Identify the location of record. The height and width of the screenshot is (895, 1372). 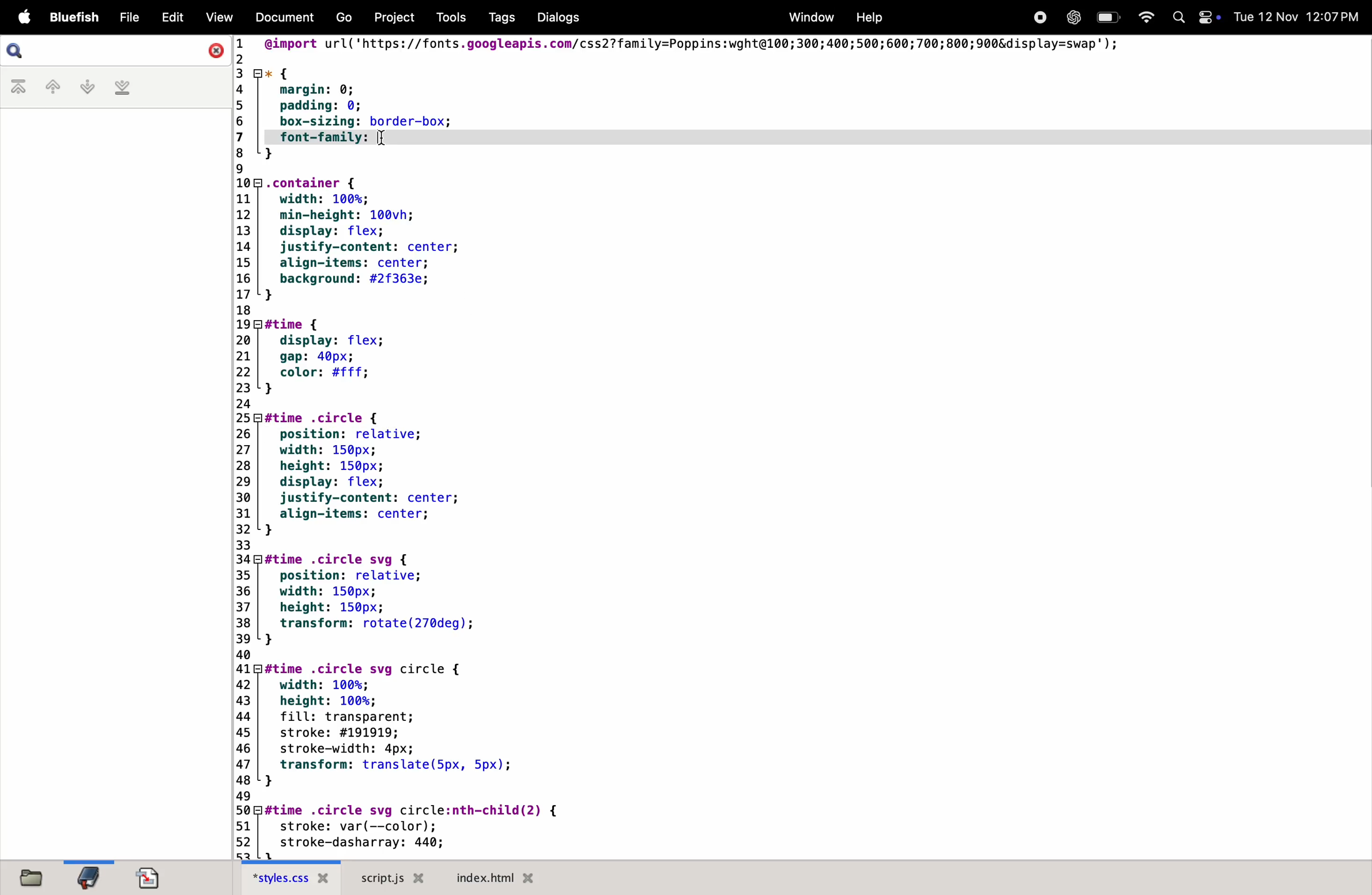
(1039, 17).